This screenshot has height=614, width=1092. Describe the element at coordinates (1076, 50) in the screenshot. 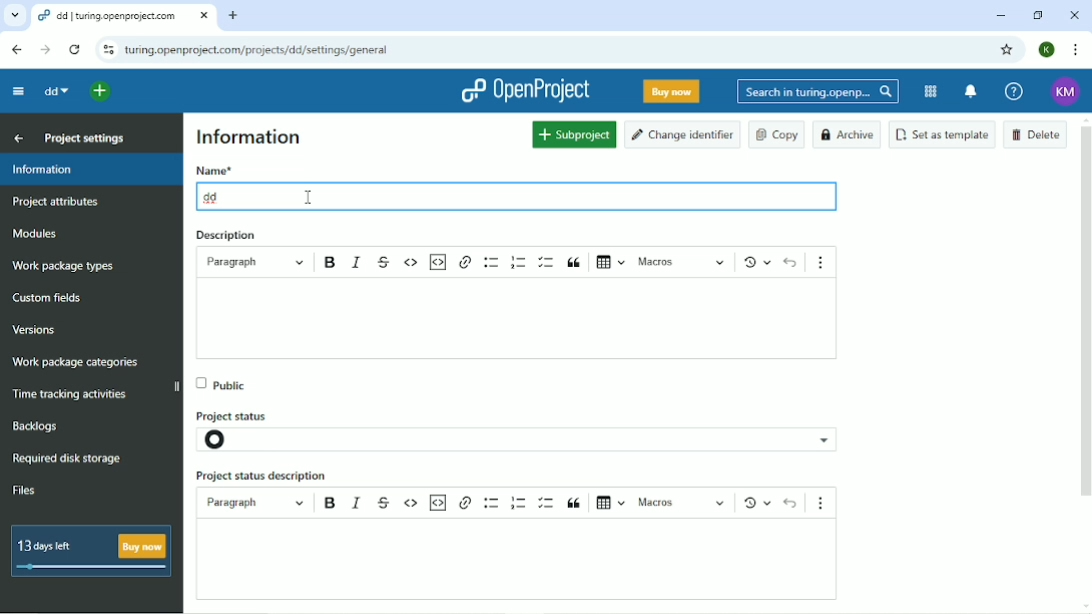

I see `Customize and control google chrome` at that location.